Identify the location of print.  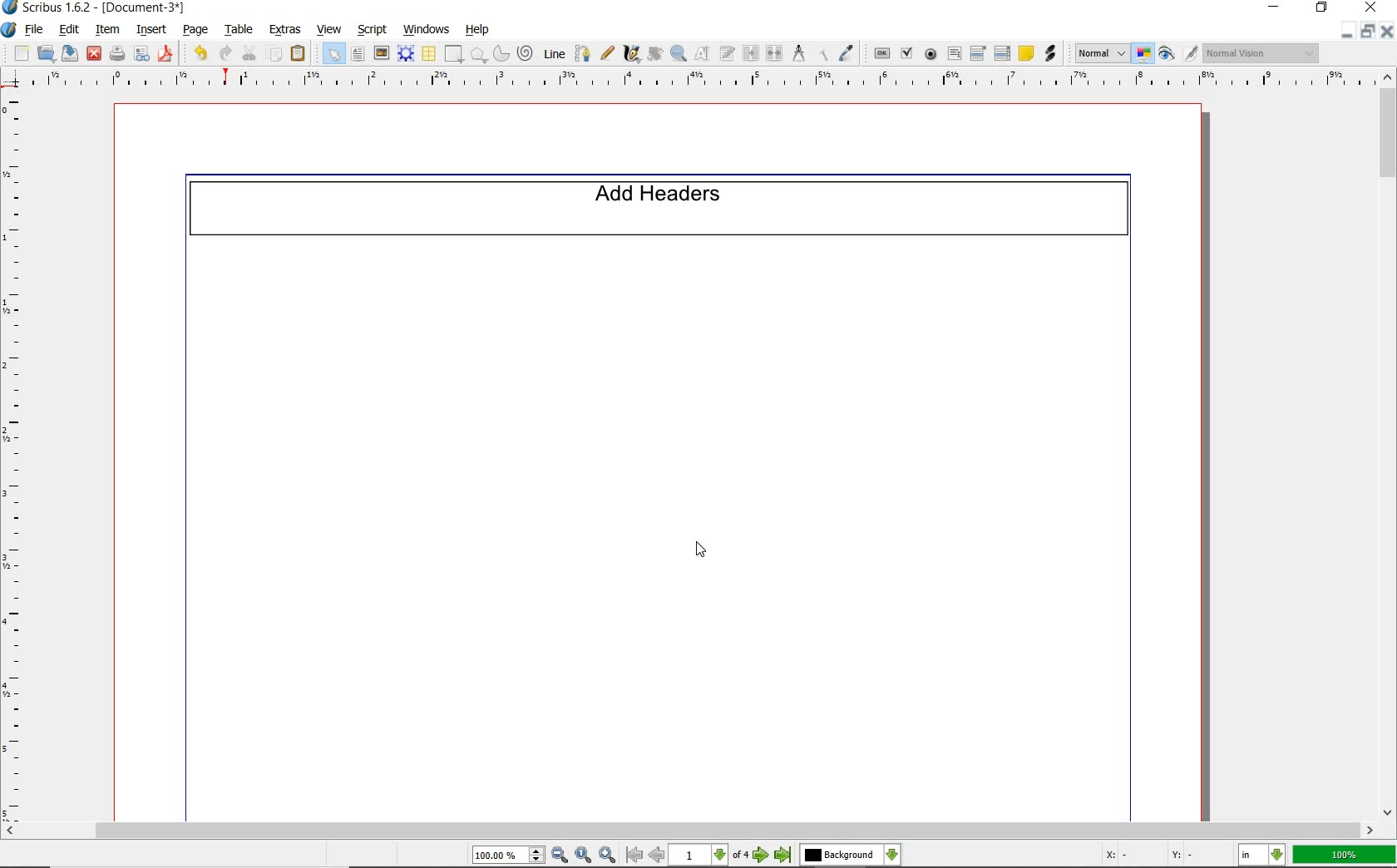
(118, 54).